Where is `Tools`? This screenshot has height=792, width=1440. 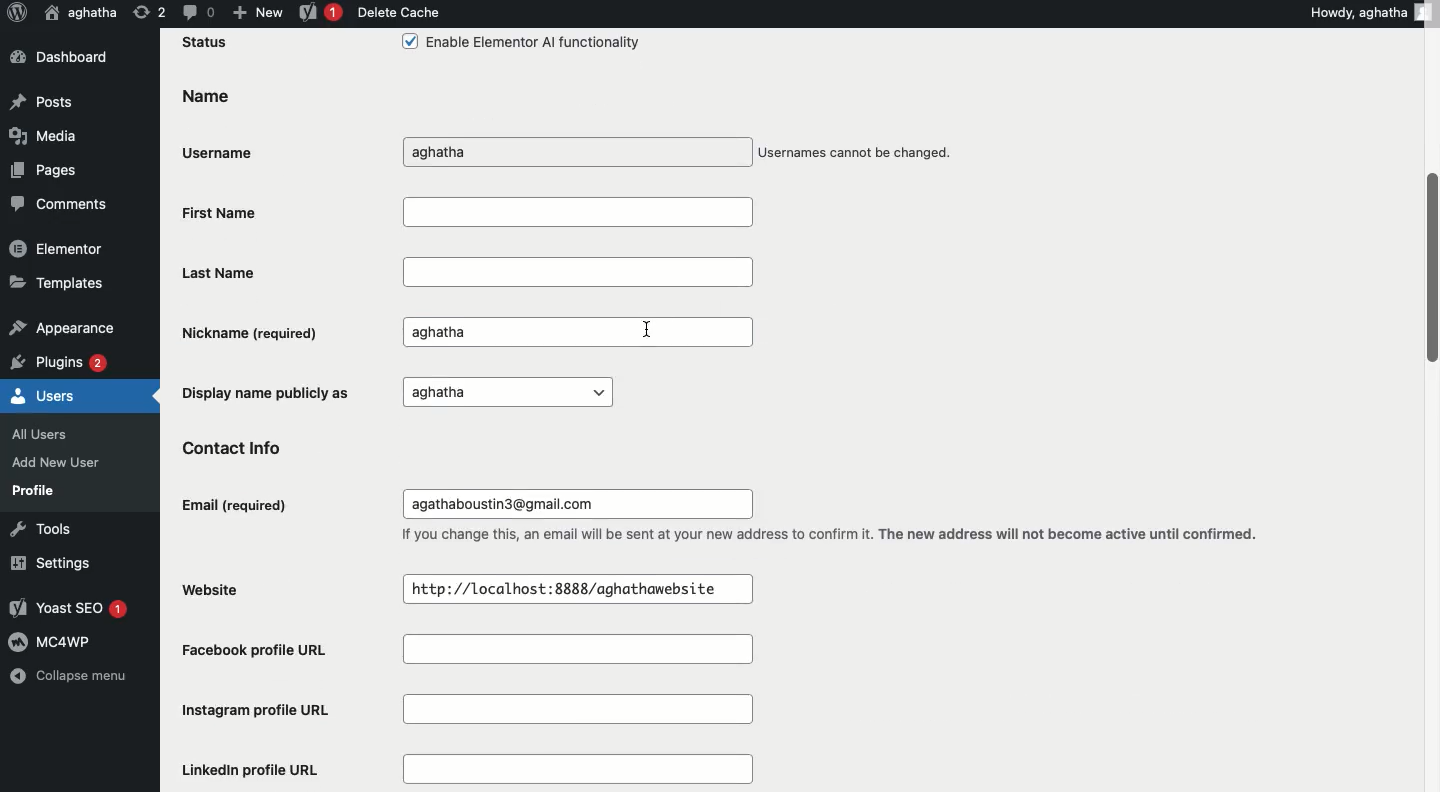 Tools is located at coordinates (37, 528).